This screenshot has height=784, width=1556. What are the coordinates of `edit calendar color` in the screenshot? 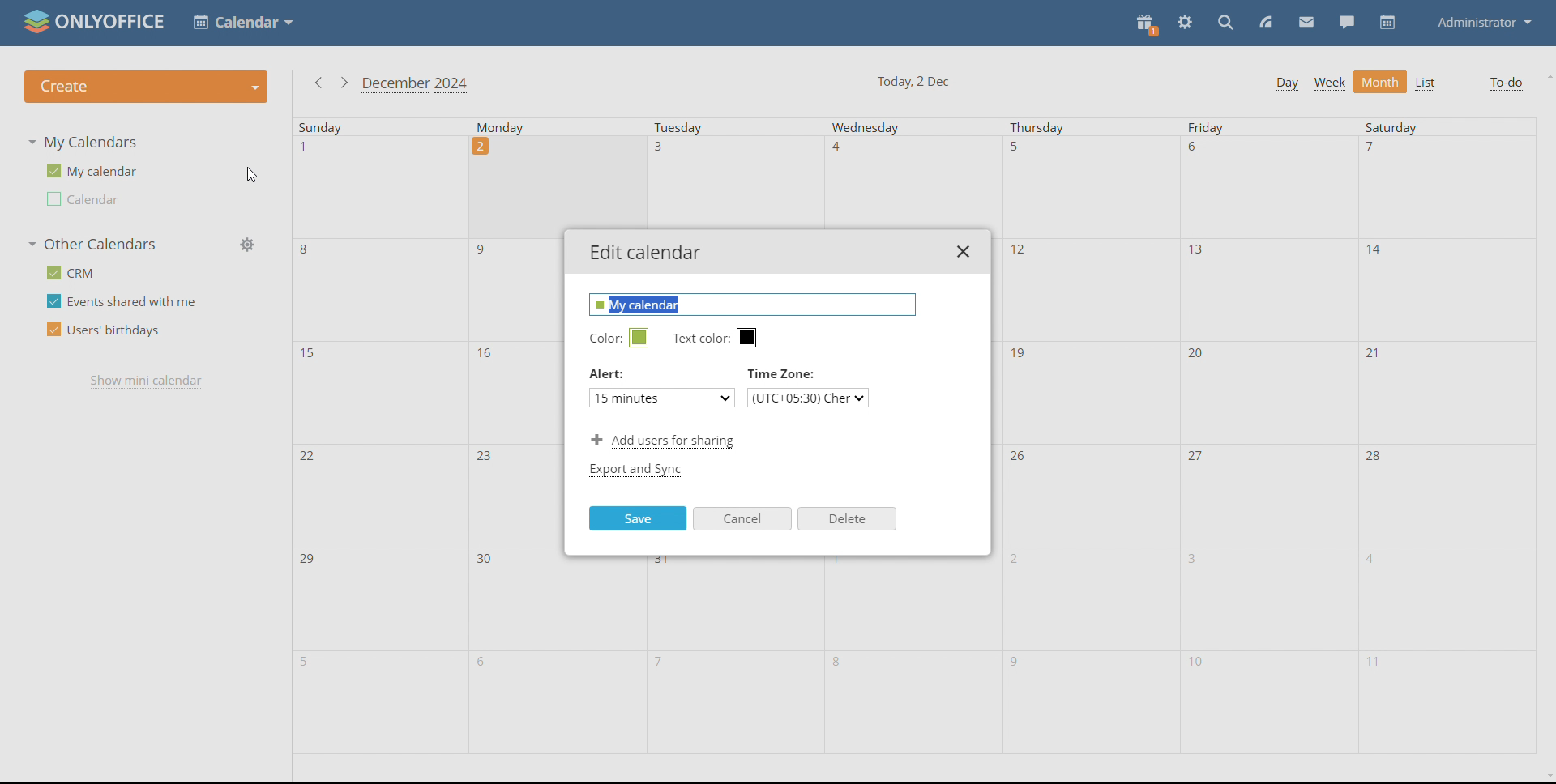 It's located at (619, 339).